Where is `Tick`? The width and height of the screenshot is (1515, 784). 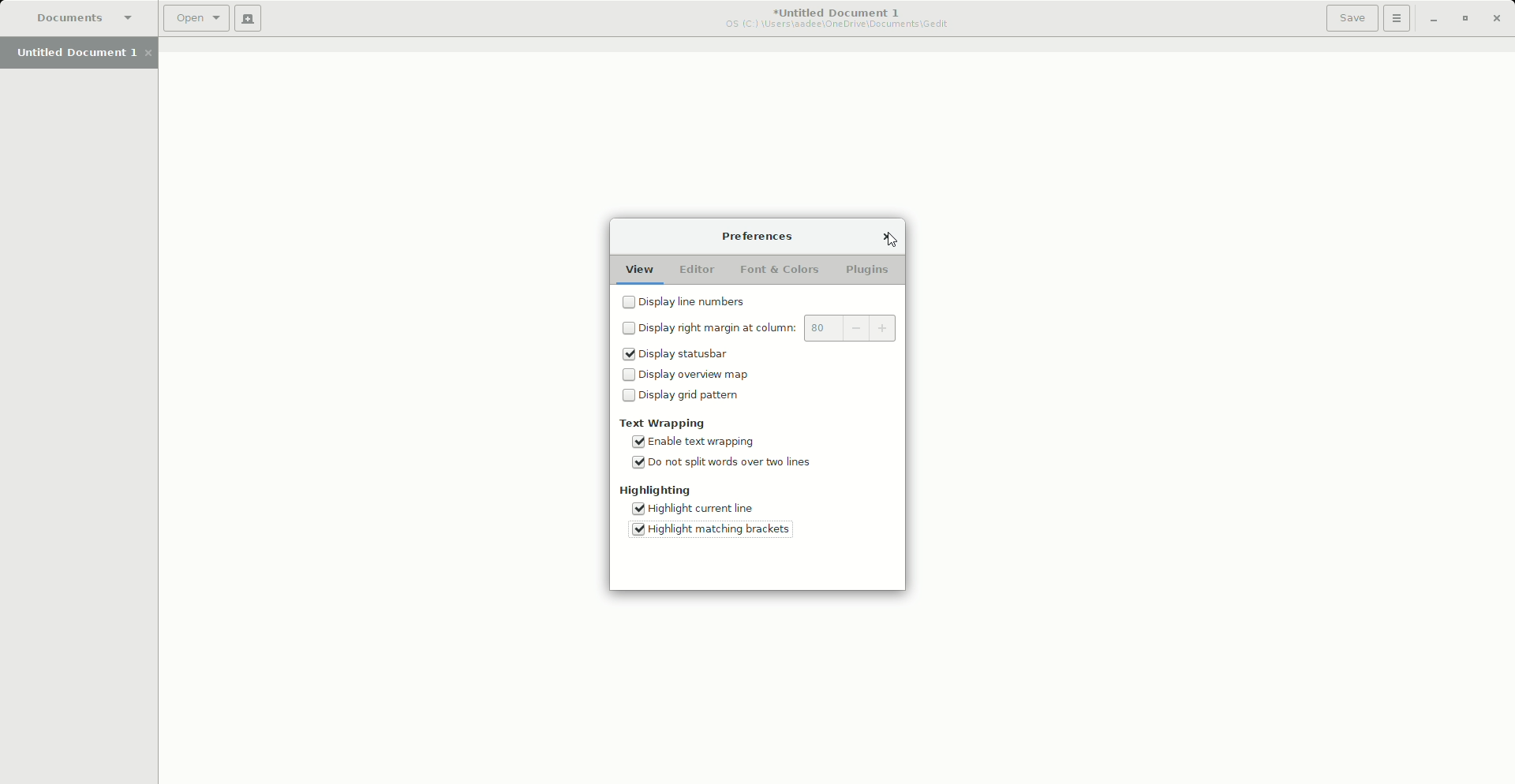 Tick is located at coordinates (637, 531).